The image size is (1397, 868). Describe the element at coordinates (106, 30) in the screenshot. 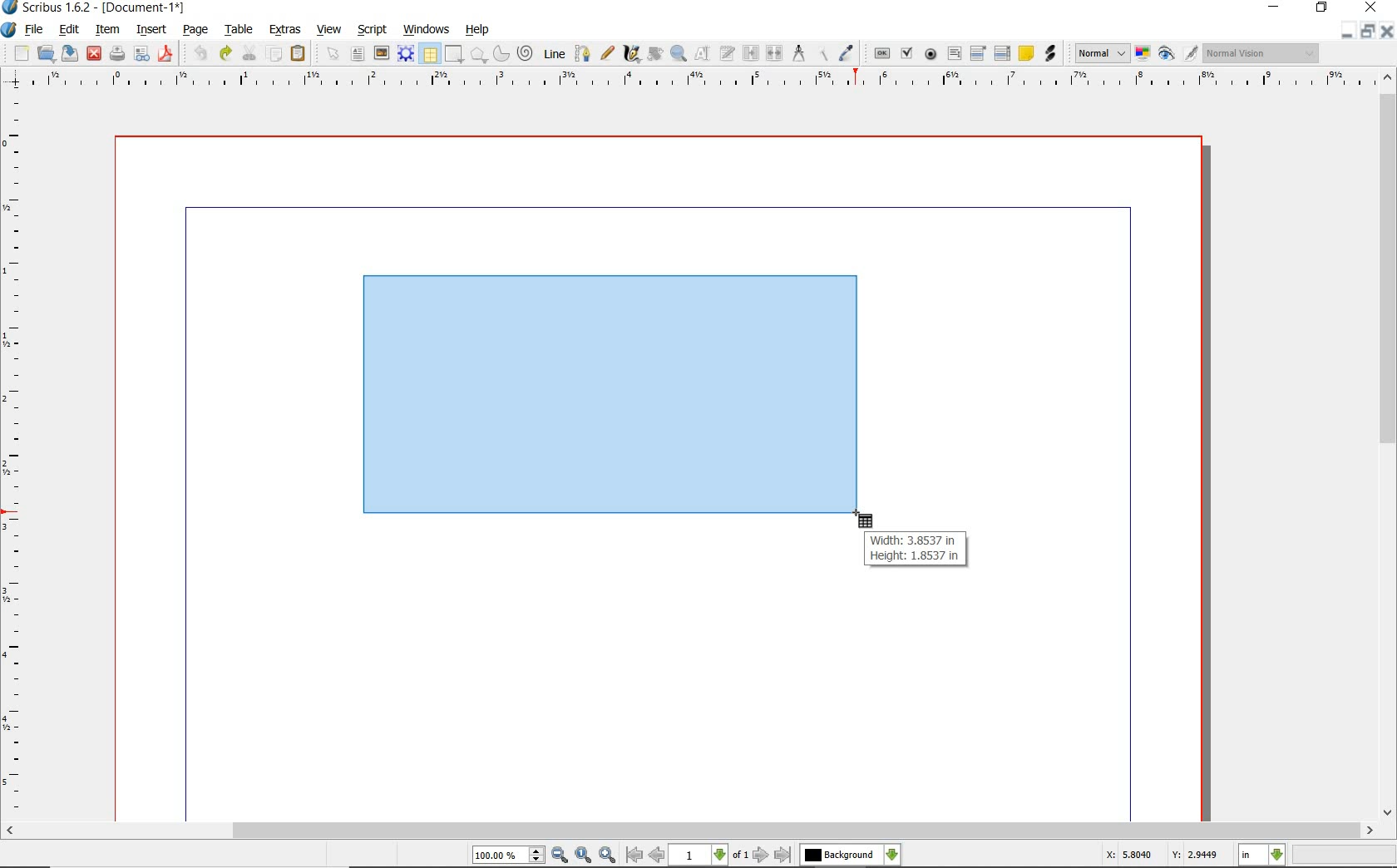

I see `item` at that location.